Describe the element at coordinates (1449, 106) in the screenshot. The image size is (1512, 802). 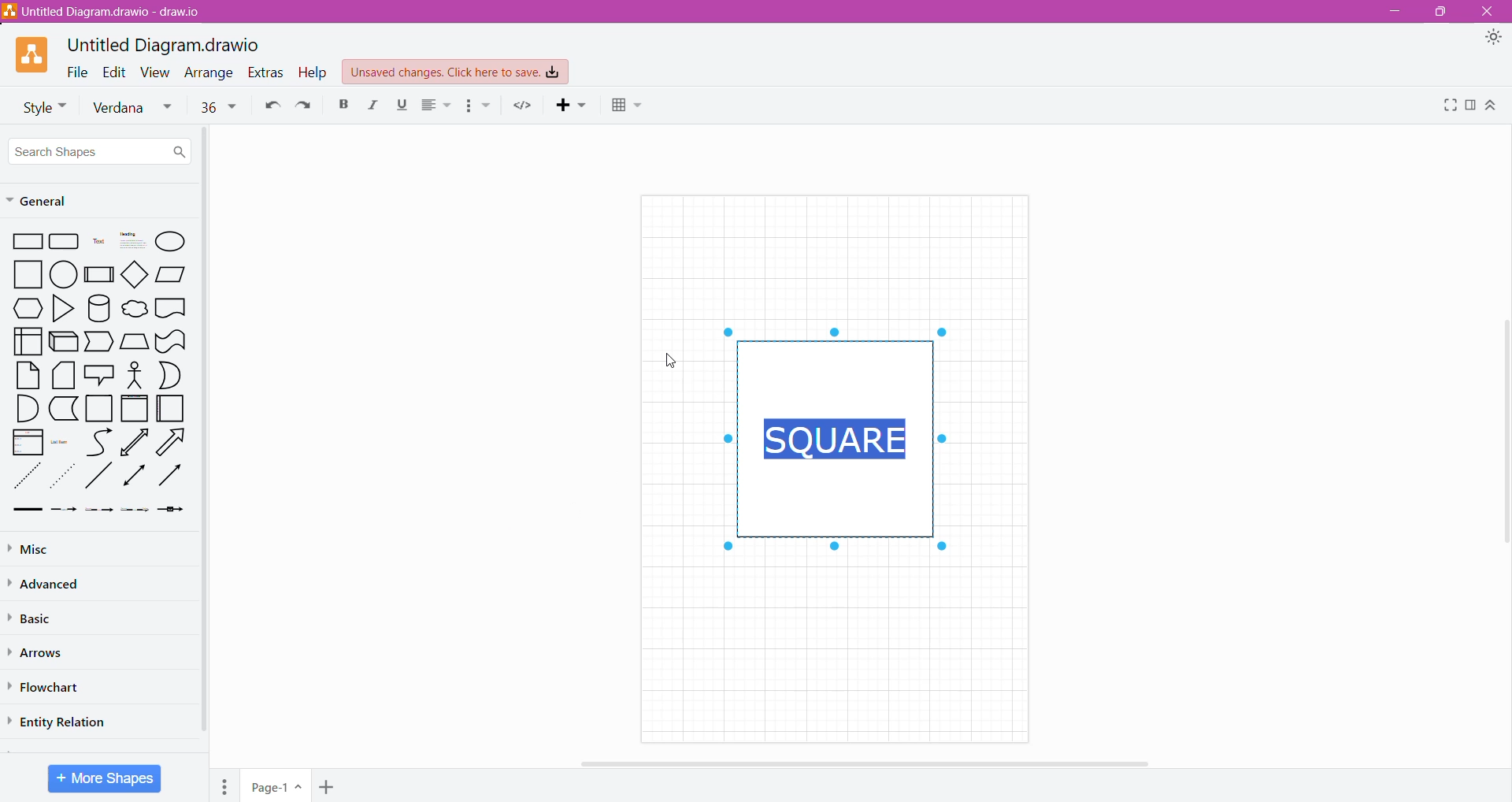
I see `Fullscreen` at that location.